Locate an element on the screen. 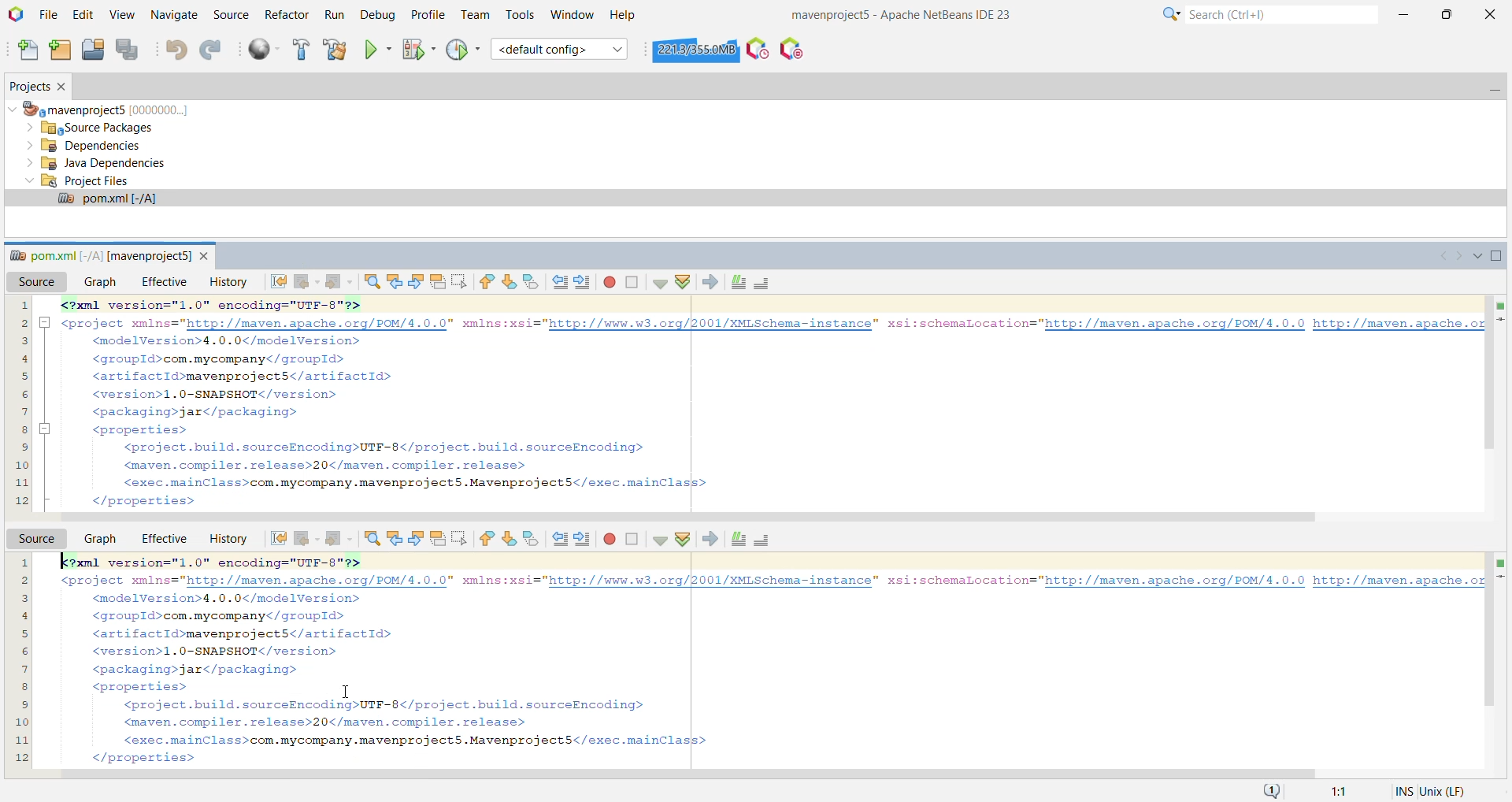  Shift Line Right is located at coordinates (583, 539).